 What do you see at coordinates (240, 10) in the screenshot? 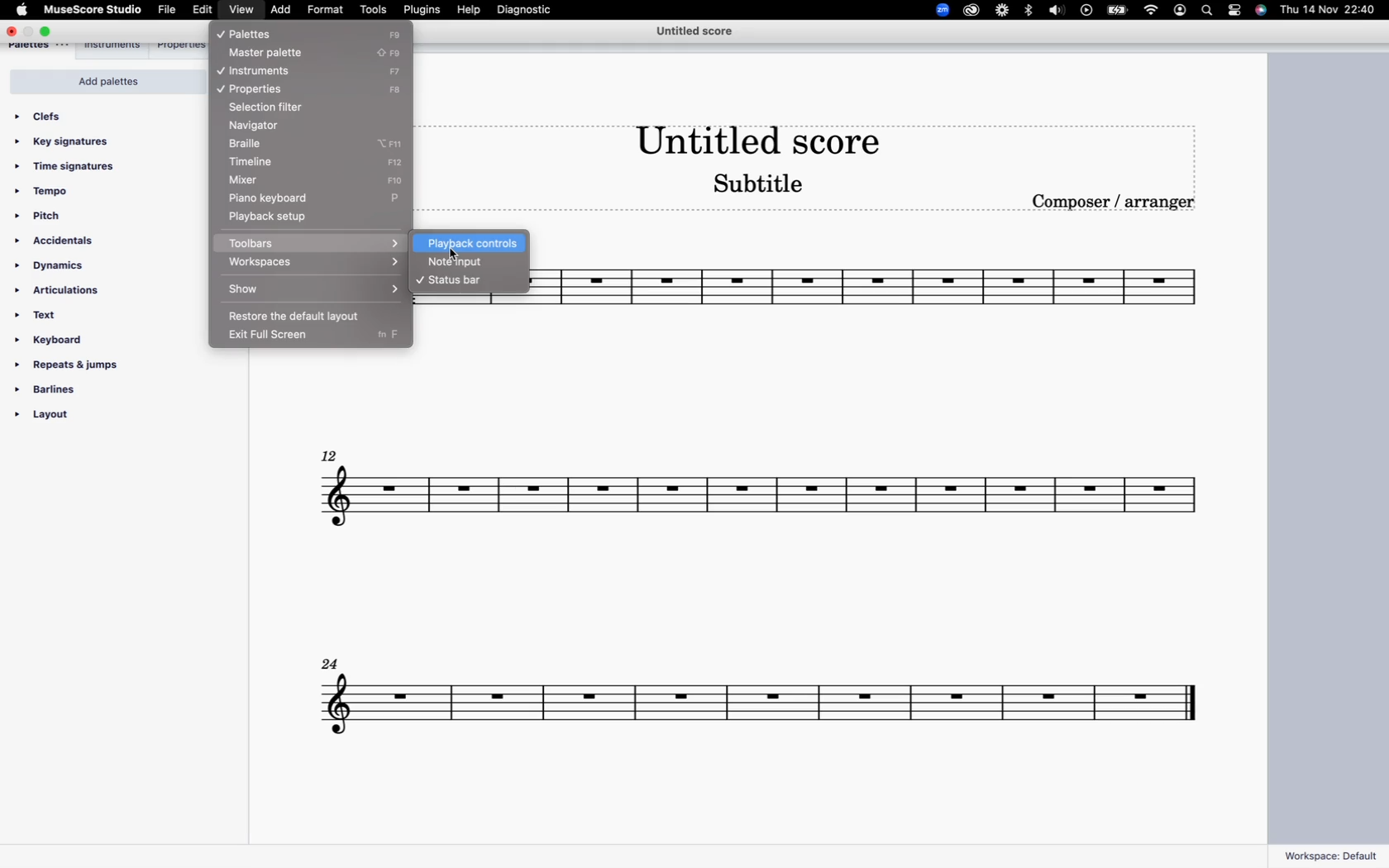
I see `view` at bounding box center [240, 10].